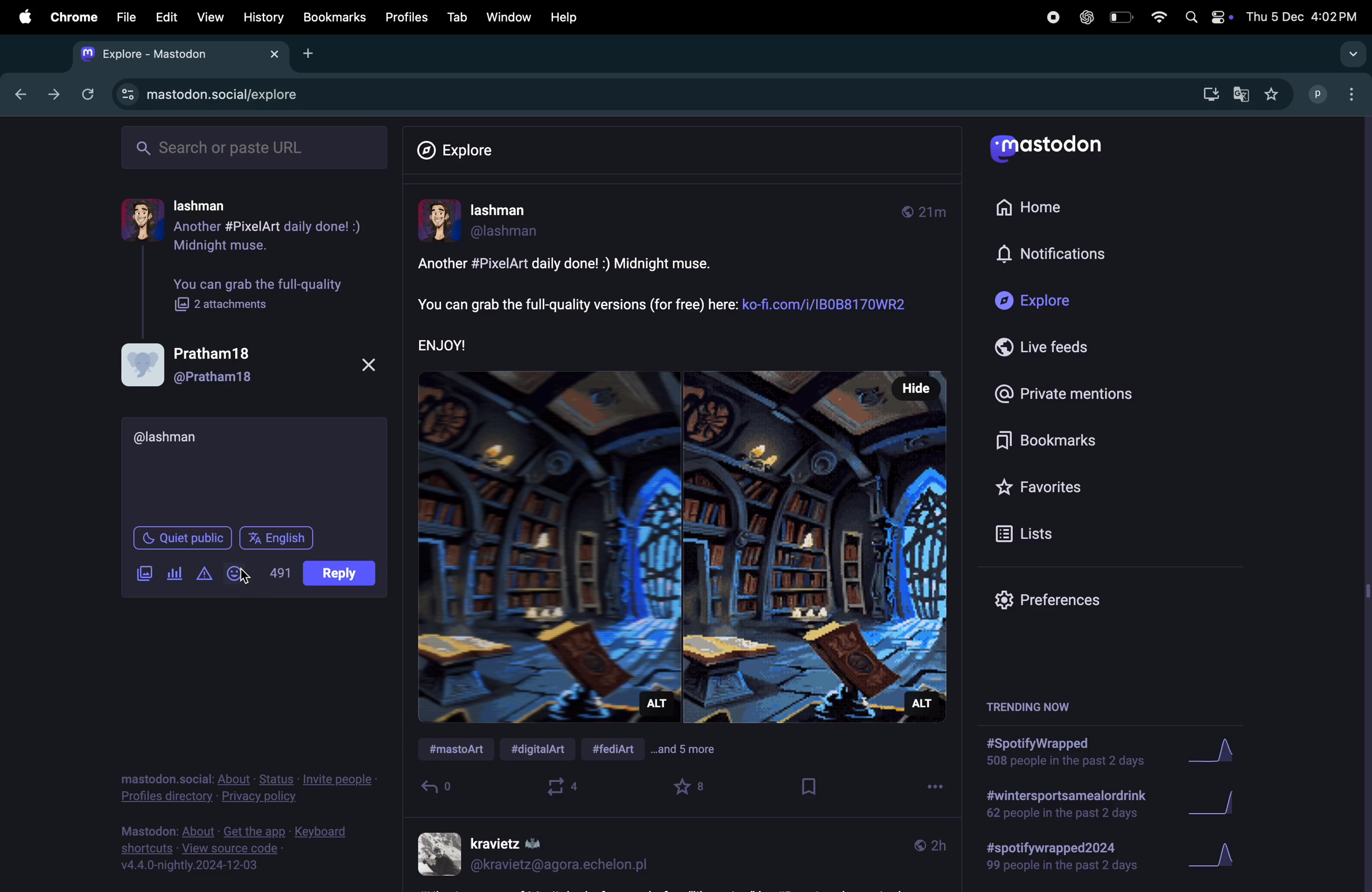 The image size is (1372, 892). I want to click on refresh, so click(89, 95).